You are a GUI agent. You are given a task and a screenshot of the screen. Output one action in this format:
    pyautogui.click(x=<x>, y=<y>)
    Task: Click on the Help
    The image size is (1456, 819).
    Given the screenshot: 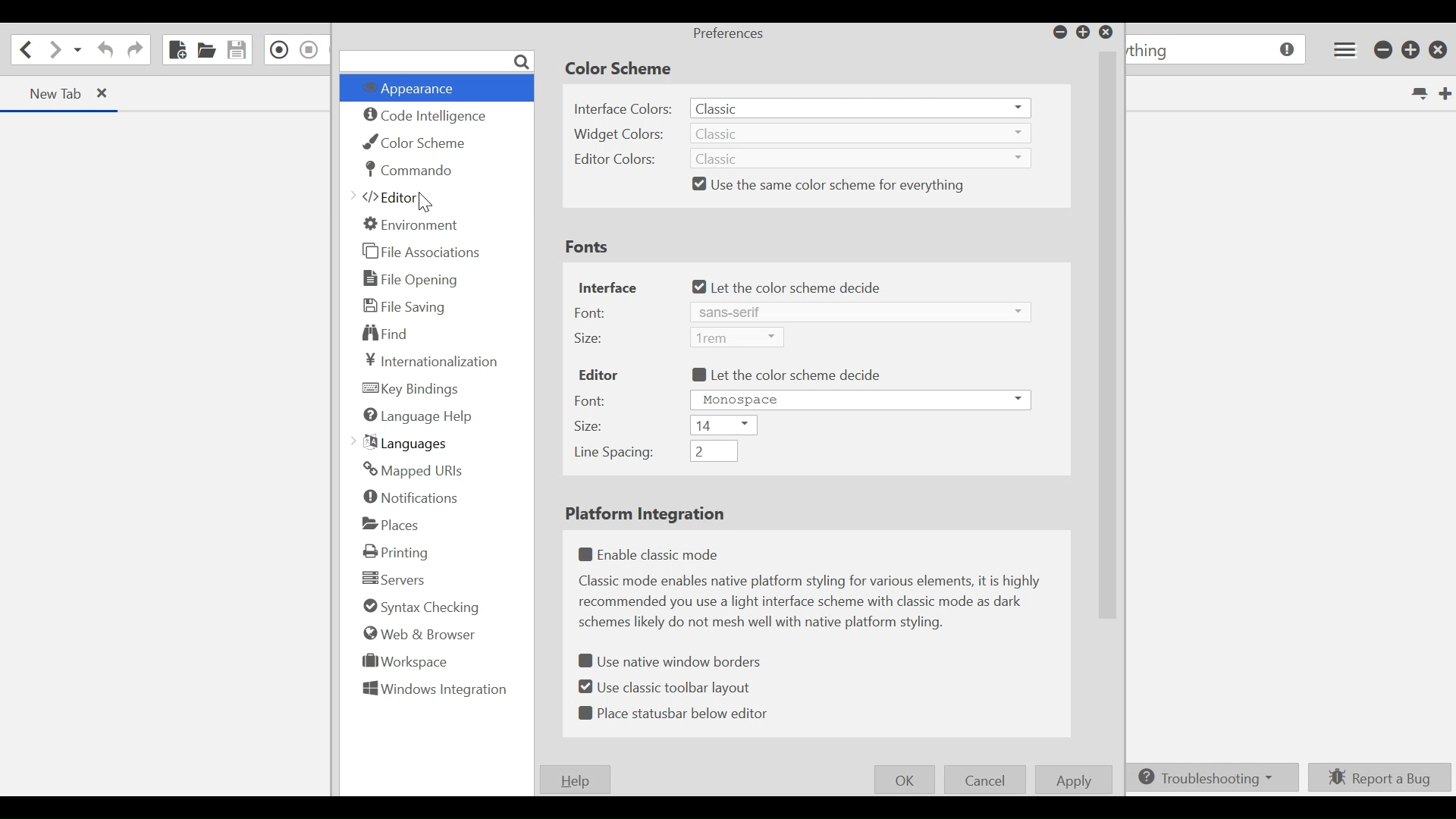 What is the action you would take?
    pyautogui.click(x=572, y=780)
    